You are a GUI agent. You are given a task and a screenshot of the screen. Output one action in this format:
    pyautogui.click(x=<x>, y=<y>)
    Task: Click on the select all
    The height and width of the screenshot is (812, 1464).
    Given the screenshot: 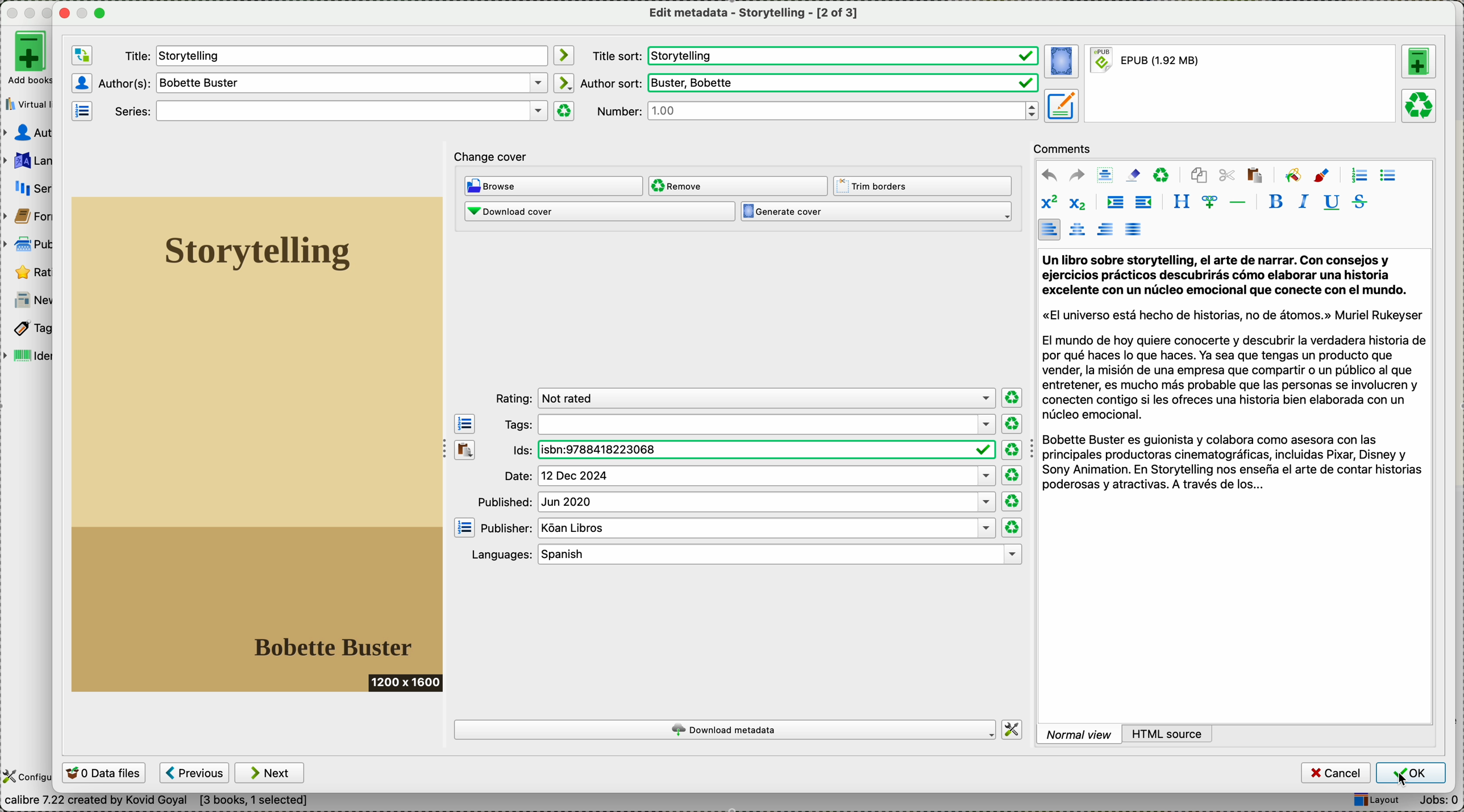 What is the action you would take?
    pyautogui.click(x=1104, y=174)
    